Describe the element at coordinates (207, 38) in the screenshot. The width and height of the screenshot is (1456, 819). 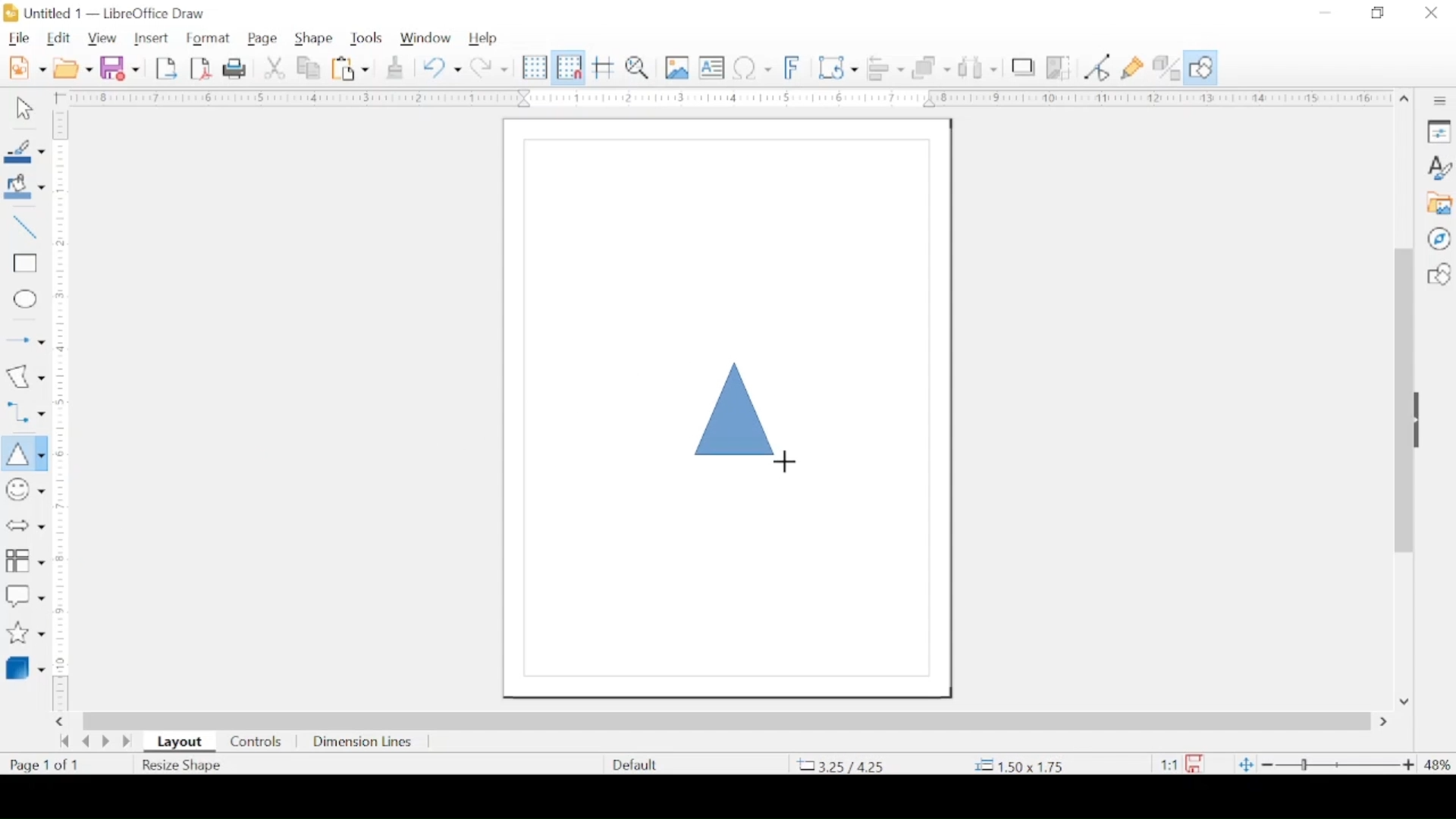
I see `format` at that location.